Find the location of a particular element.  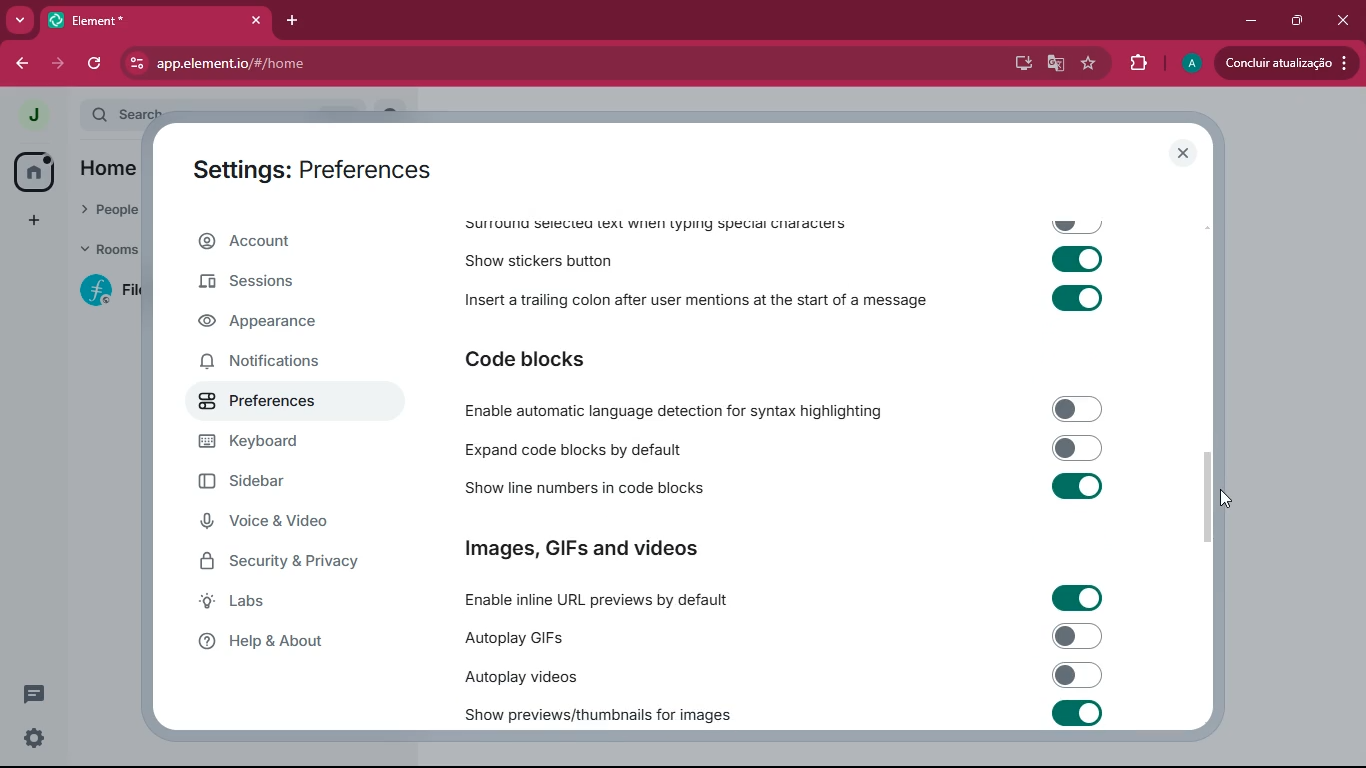

security & Privacy is located at coordinates (287, 563).